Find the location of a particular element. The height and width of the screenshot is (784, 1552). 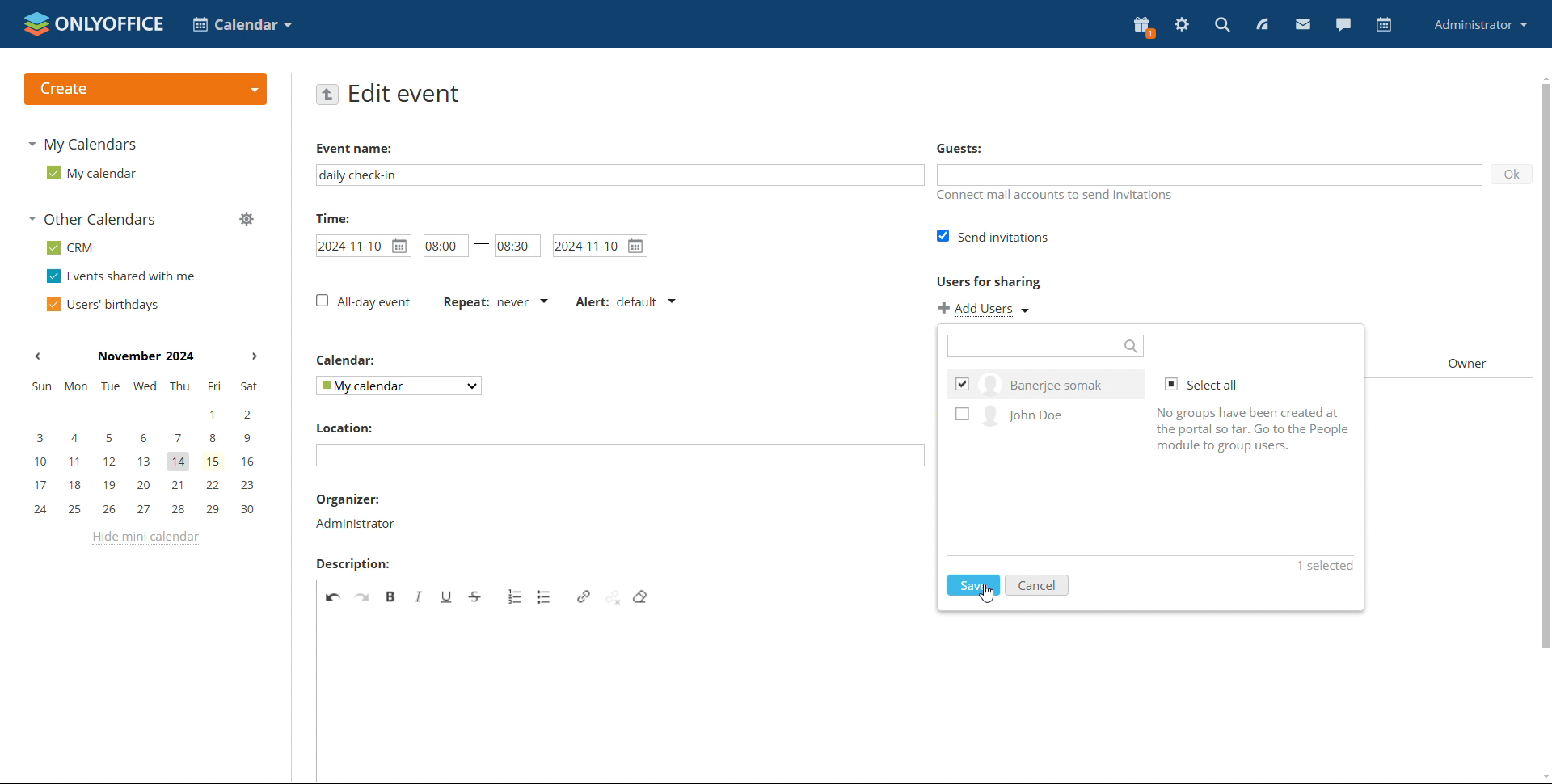

my calendars is located at coordinates (81, 144).